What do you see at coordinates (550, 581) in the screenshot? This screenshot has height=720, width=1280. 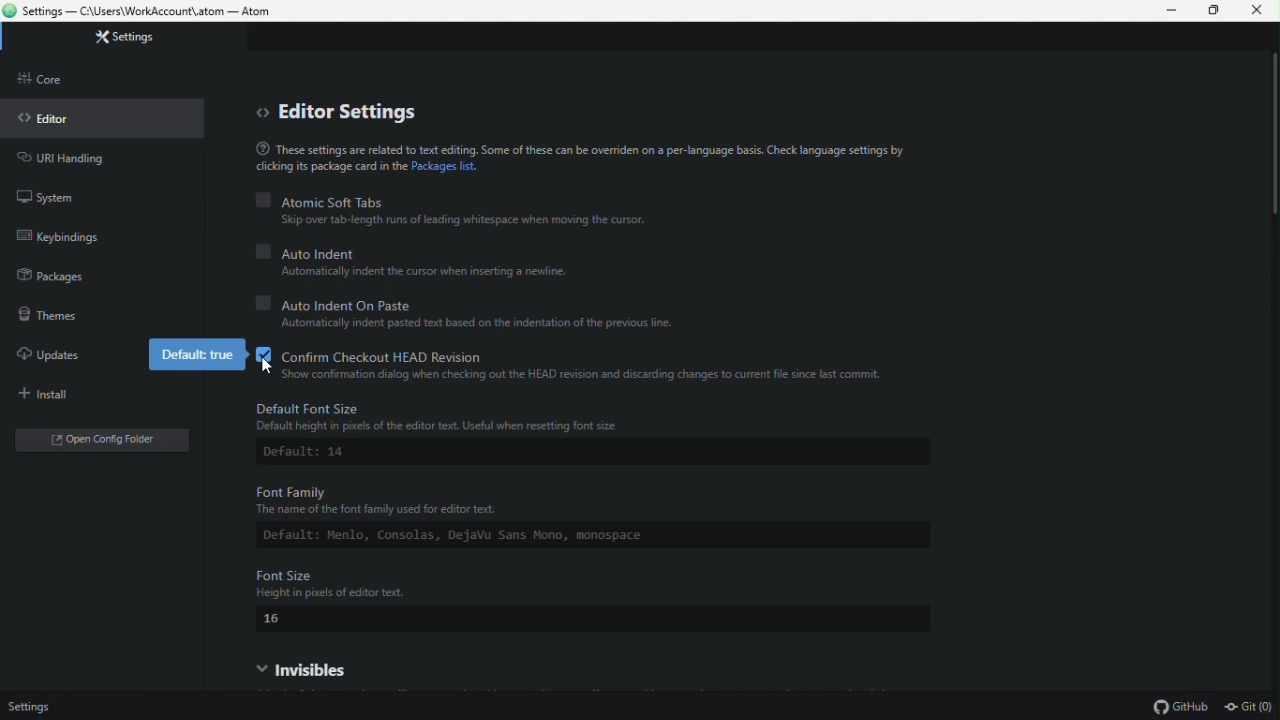 I see `Font Size Height in pixels of edtor text.` at bounding box center [550, 581].